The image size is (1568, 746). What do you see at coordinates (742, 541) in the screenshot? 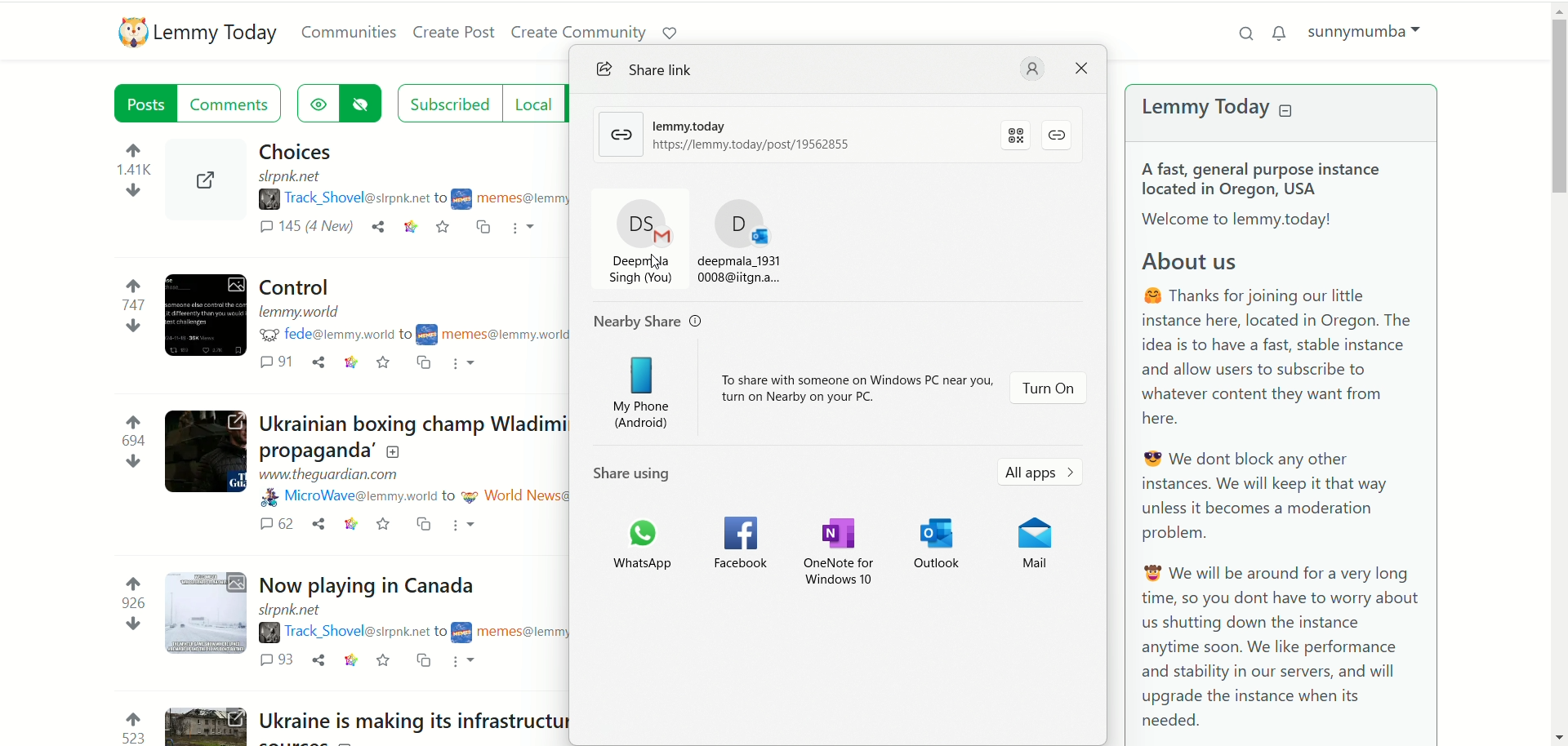
I see `facebook` at bounding box center [742, 541].